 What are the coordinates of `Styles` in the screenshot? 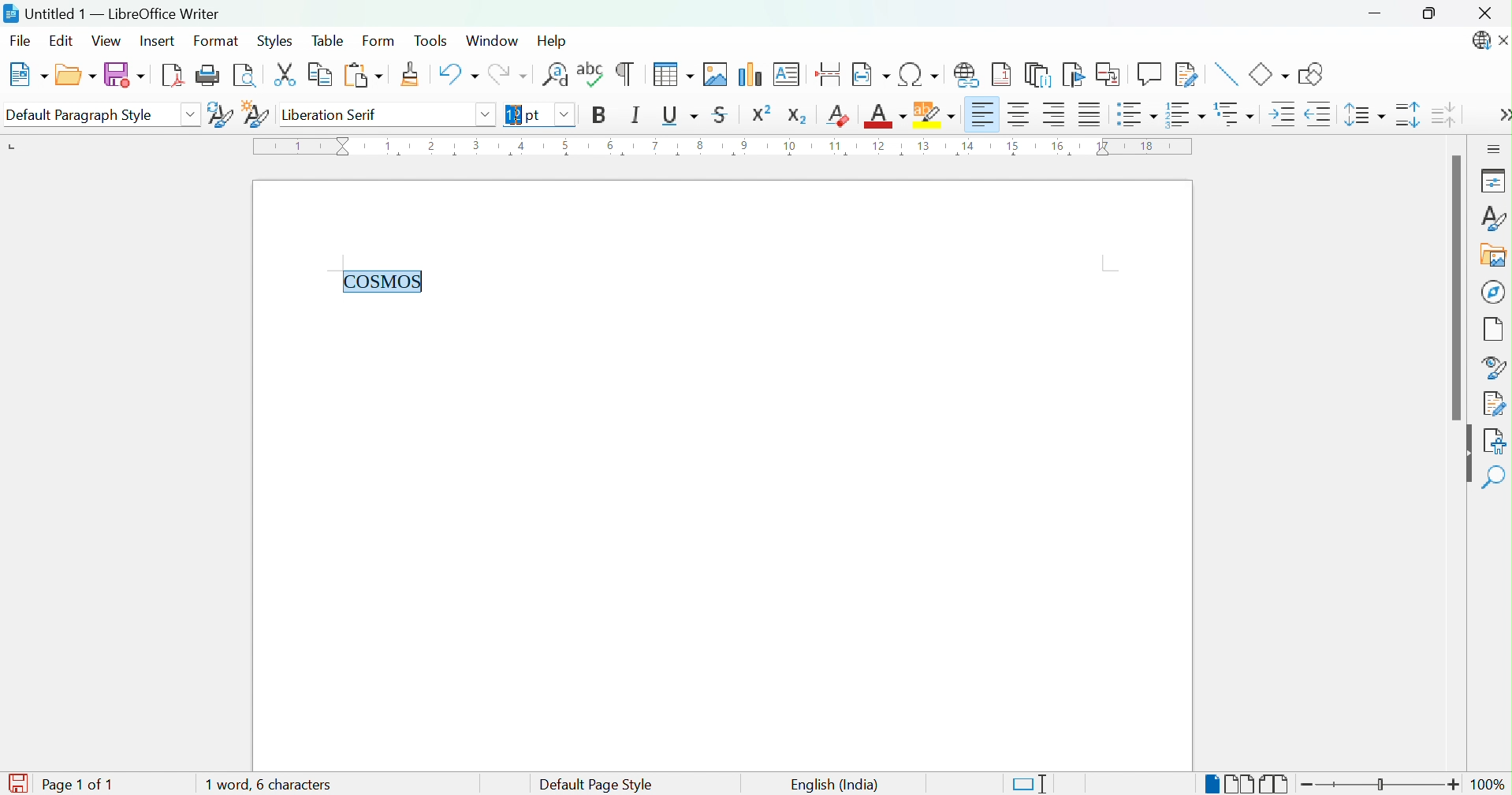 It's located at (274, 41).